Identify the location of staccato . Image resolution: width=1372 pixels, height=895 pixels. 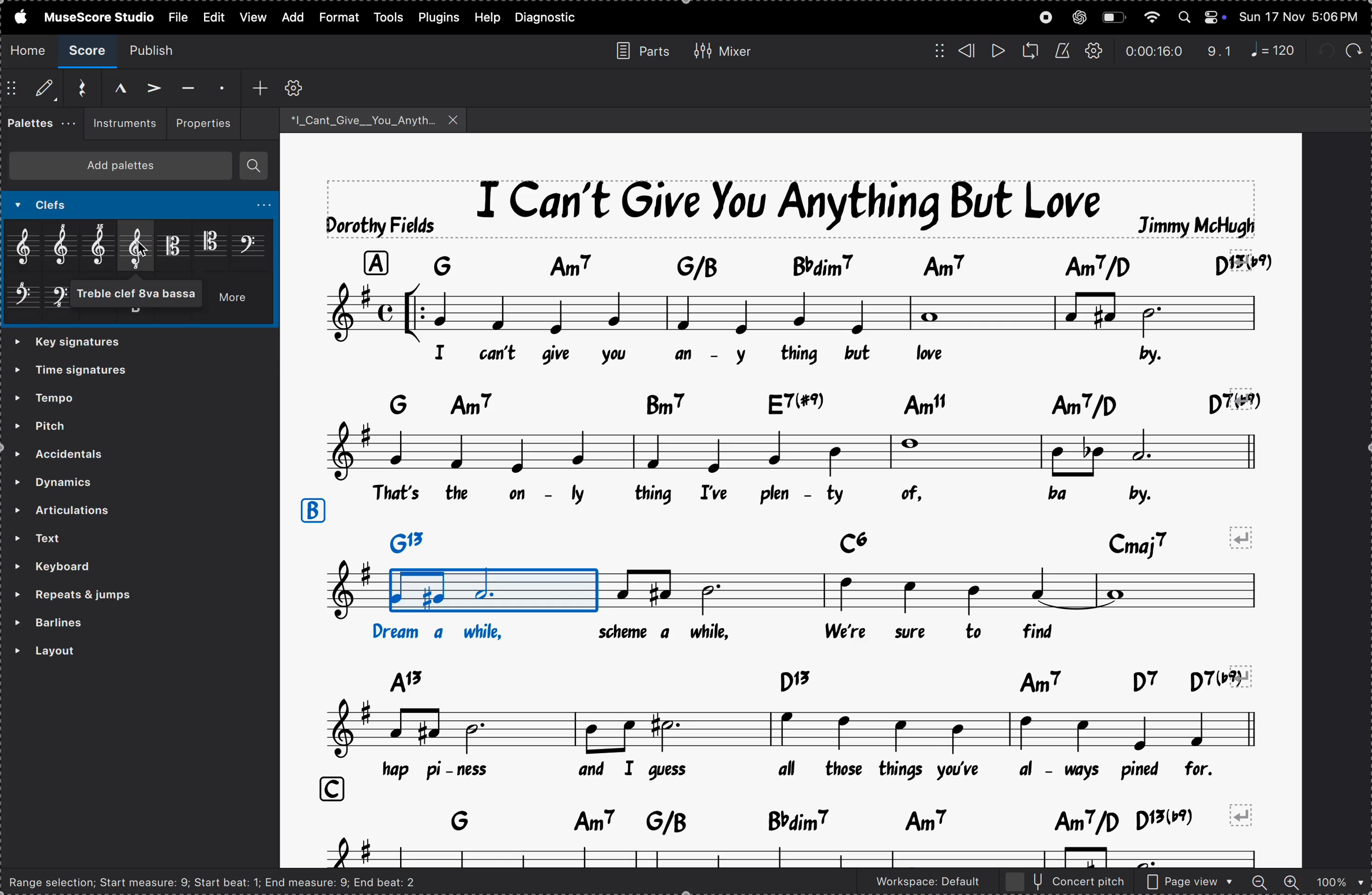
(220, 86).